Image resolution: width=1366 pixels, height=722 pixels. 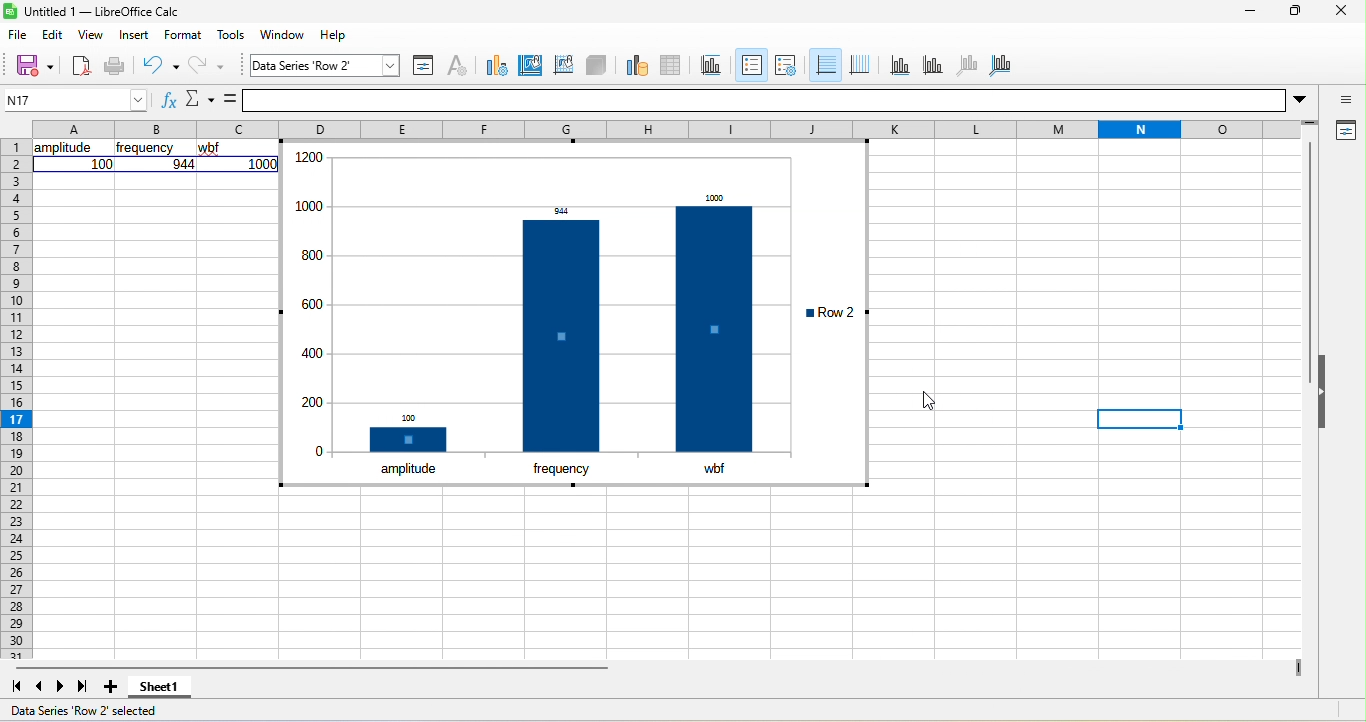 I want to click on undo, so click(x=161, y=65).